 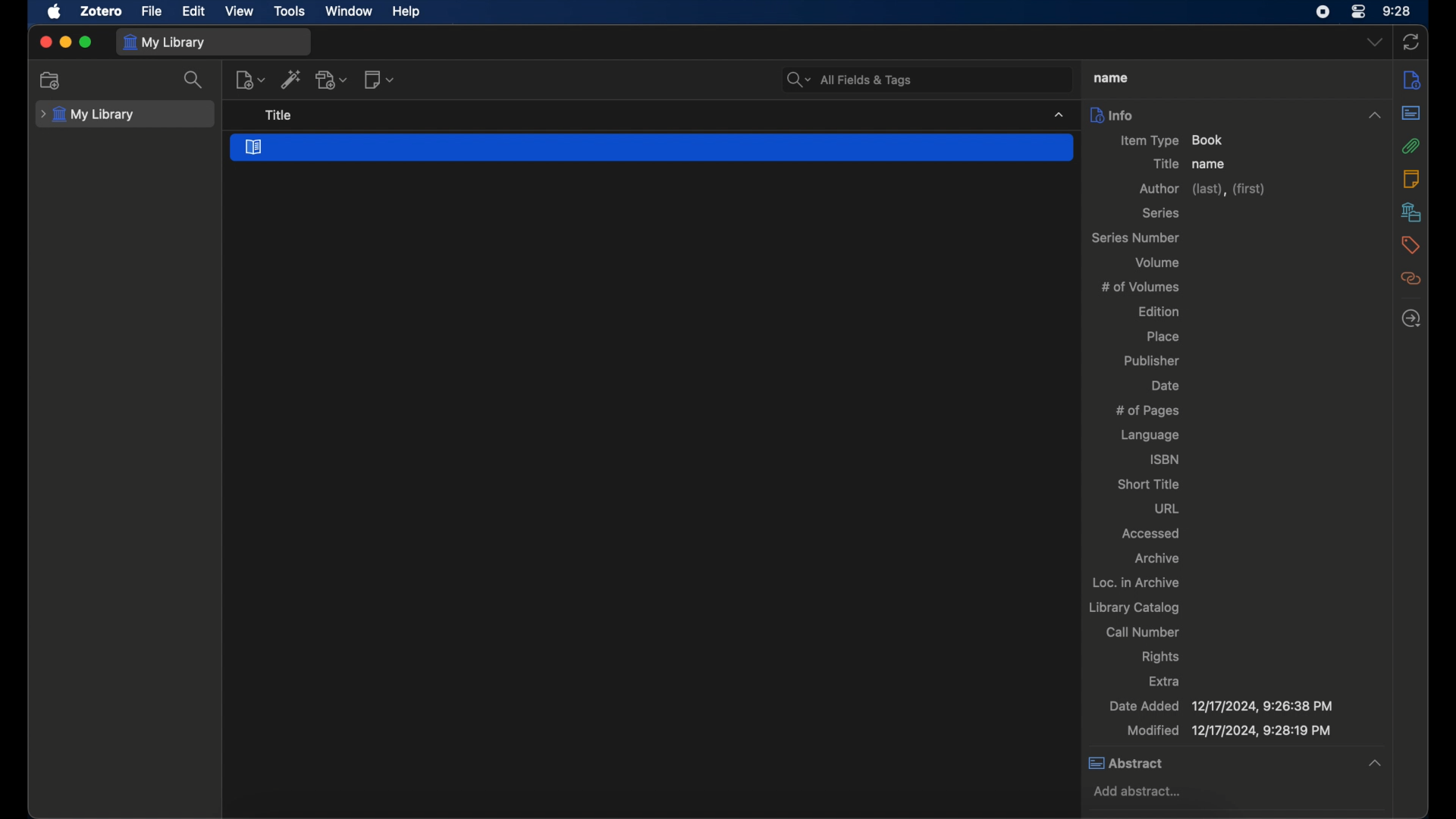 What do you see at coordinates (1411, 146) in the screenshot?
I see `attachments` at bounding box center [1411, 146].